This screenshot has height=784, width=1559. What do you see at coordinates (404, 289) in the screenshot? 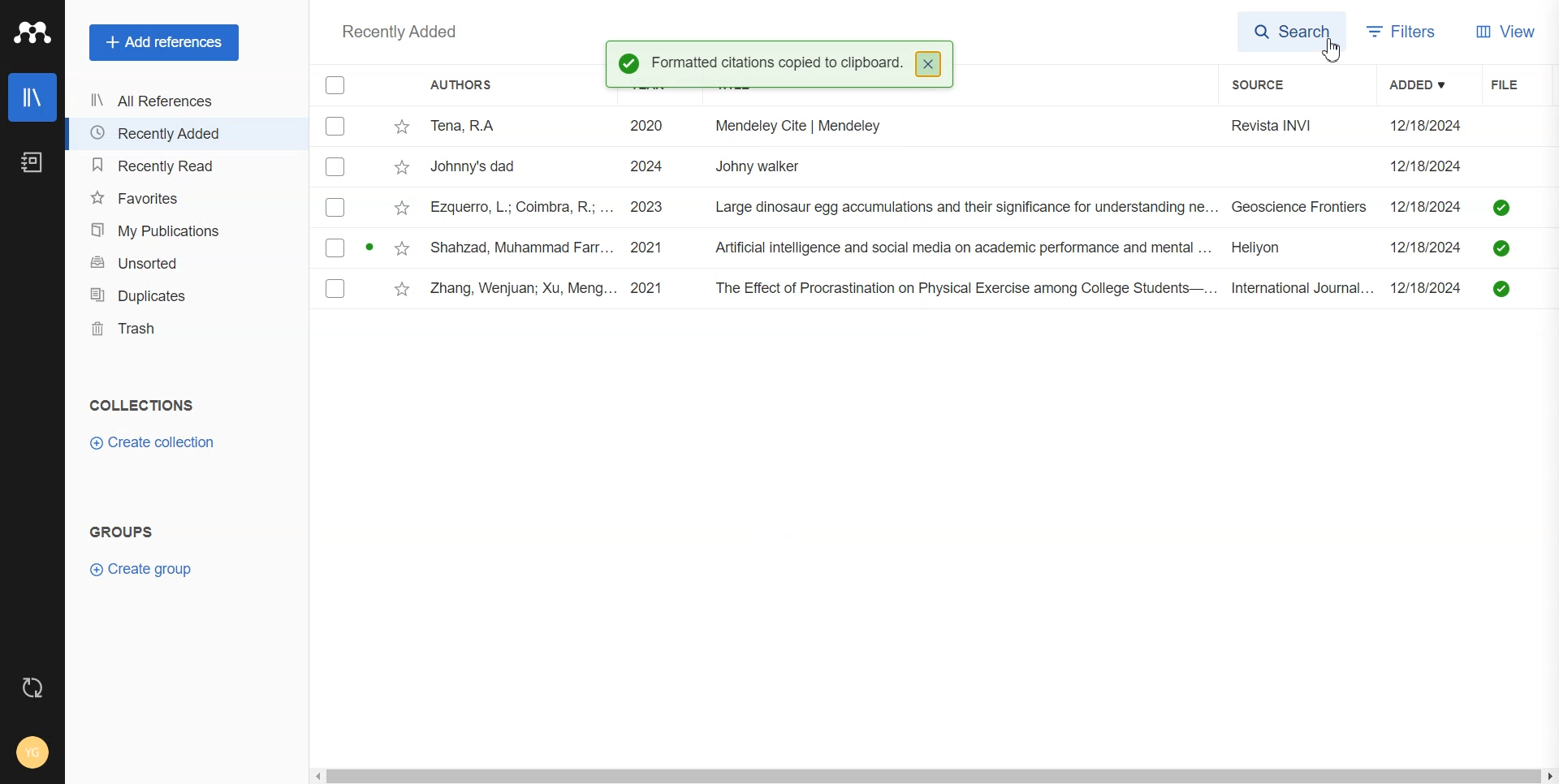
I see `Star` at bounding box center [404, 289].